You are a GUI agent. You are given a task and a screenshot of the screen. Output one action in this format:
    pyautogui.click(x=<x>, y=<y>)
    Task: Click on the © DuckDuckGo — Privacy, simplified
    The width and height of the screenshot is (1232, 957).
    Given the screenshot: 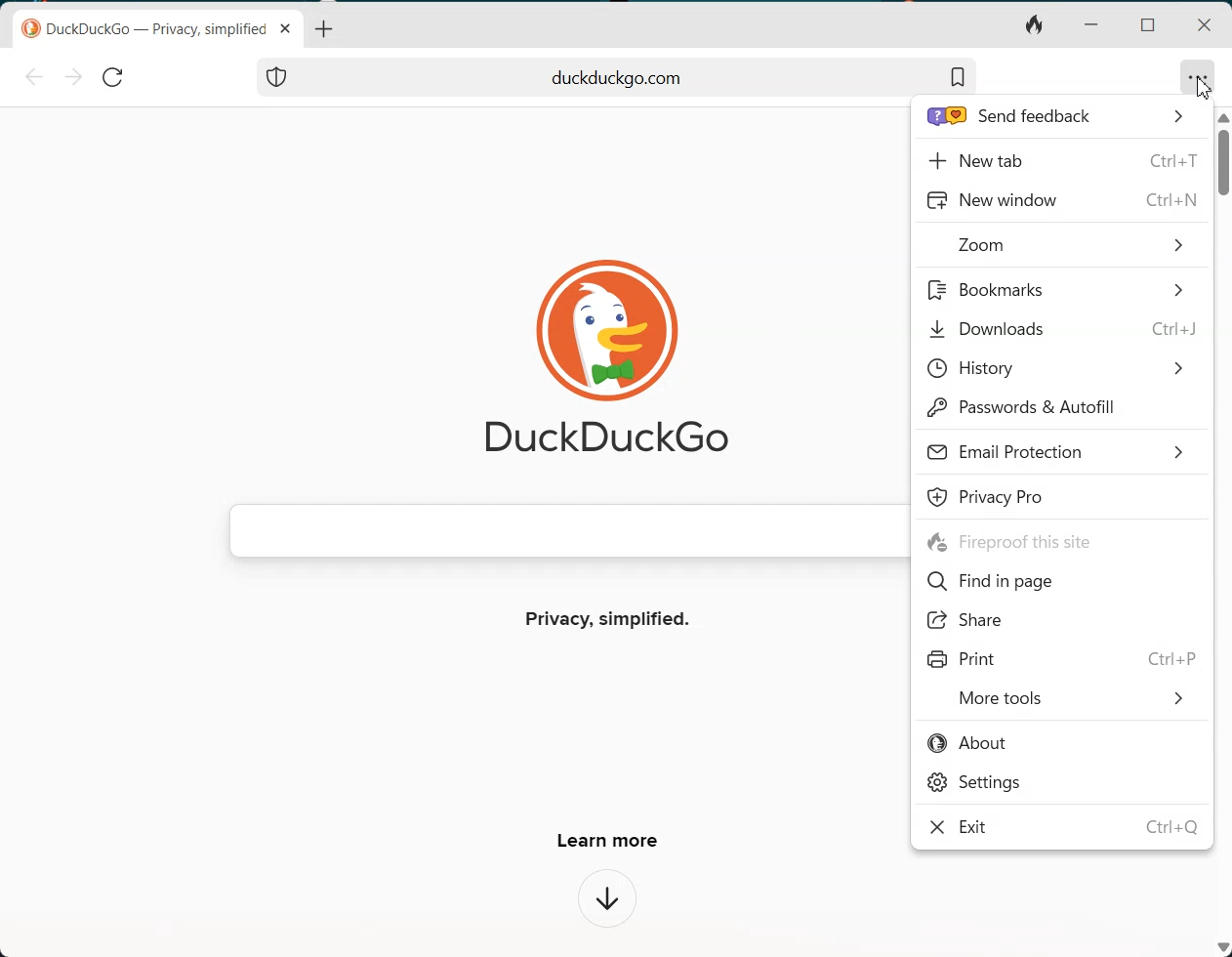 What is the action you would take?
    pyautogui.click(x=142, y=29)
    